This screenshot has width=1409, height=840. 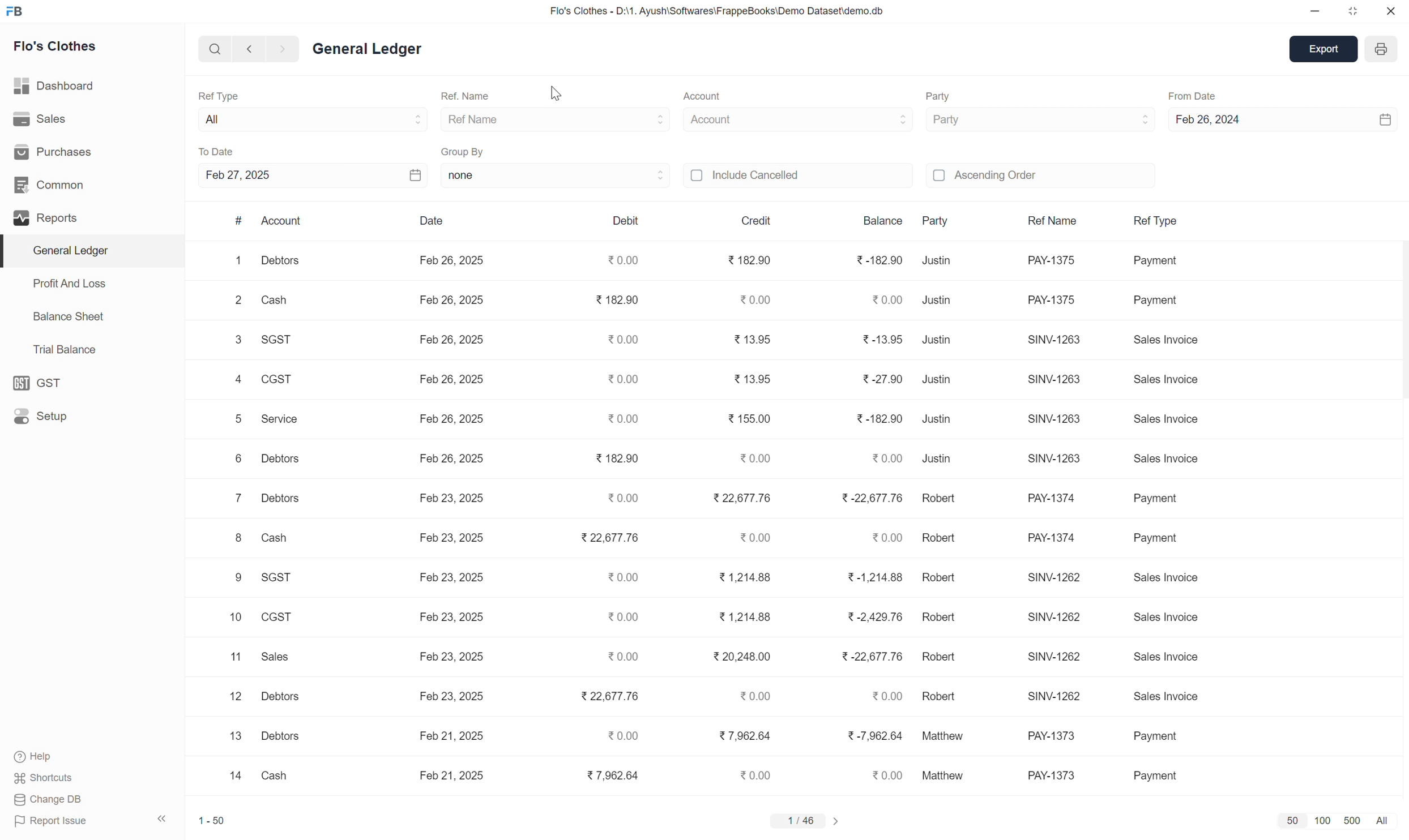 What do you see at coordinates (941, 95) in the screenshot?
I see `Party` at bounding box center [941, 95].